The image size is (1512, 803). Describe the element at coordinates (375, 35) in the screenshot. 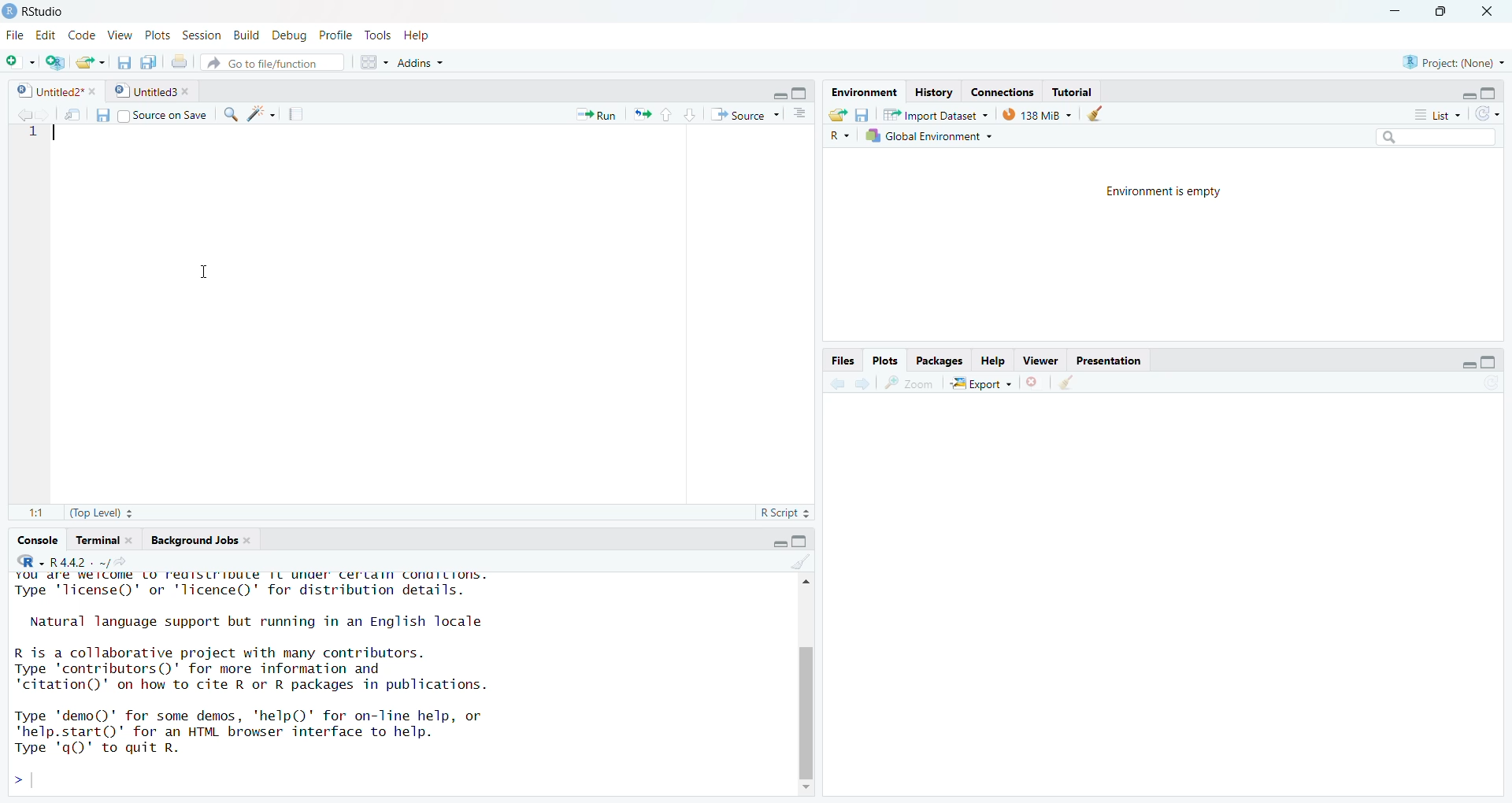

I see `Tools` at that location.